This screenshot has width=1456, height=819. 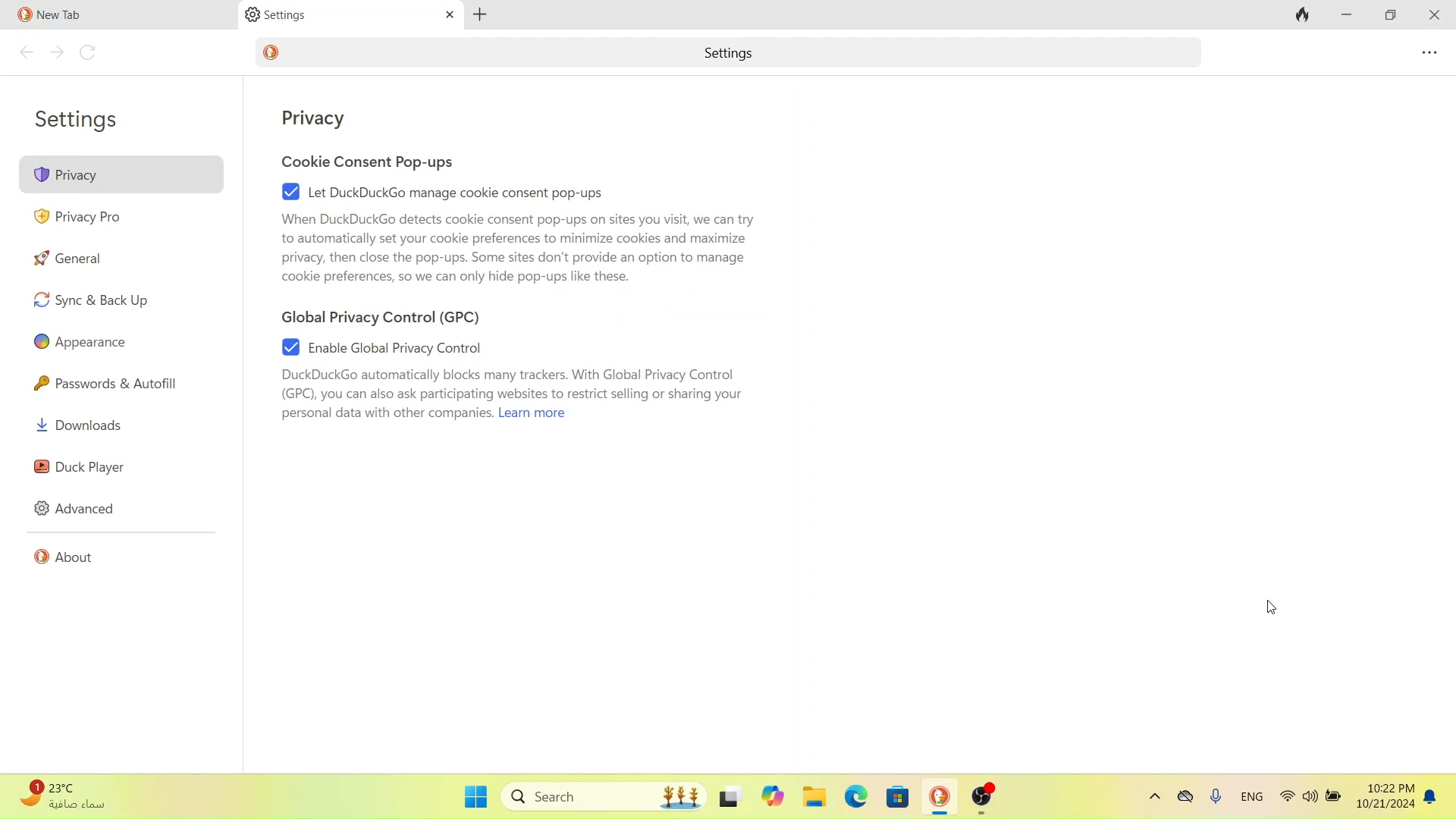 I want to click on general, so click(x=88, y=258).